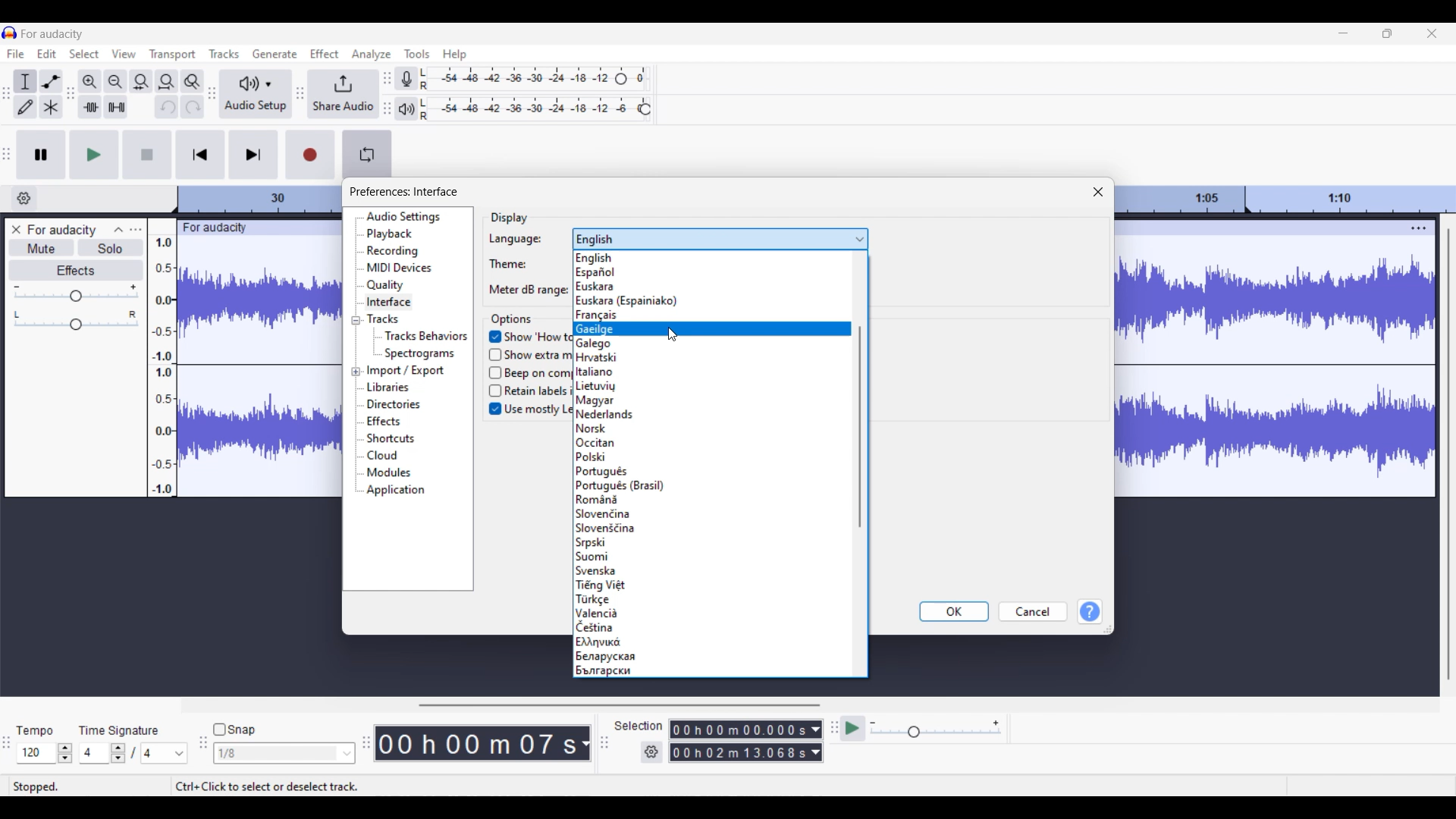 The image size is (1456, 819). I want to click on Analyze menu, so click(372, 55).